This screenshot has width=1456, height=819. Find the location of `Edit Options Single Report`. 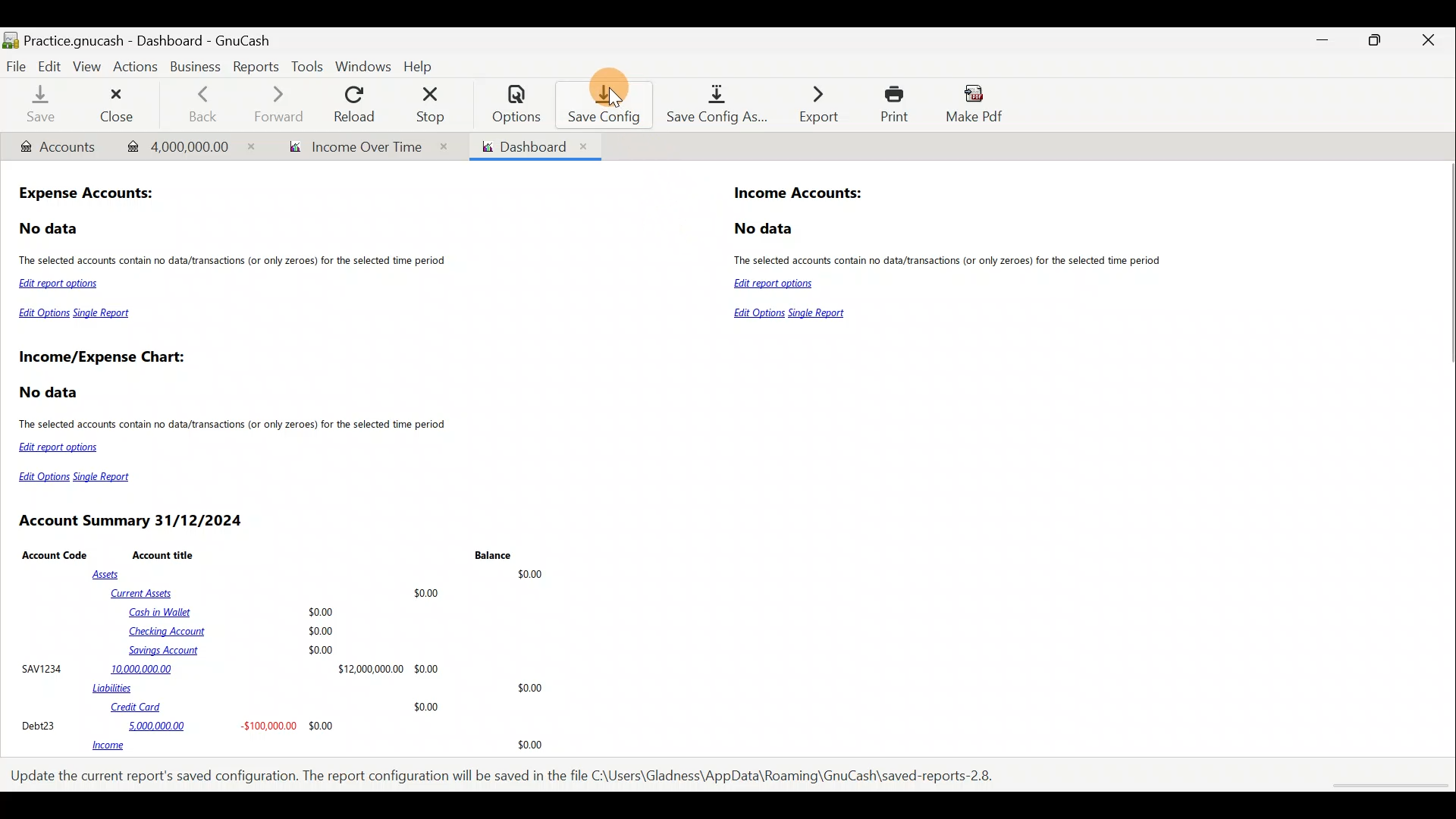

Edit Options Single Report is located at coordinates (80, 477).